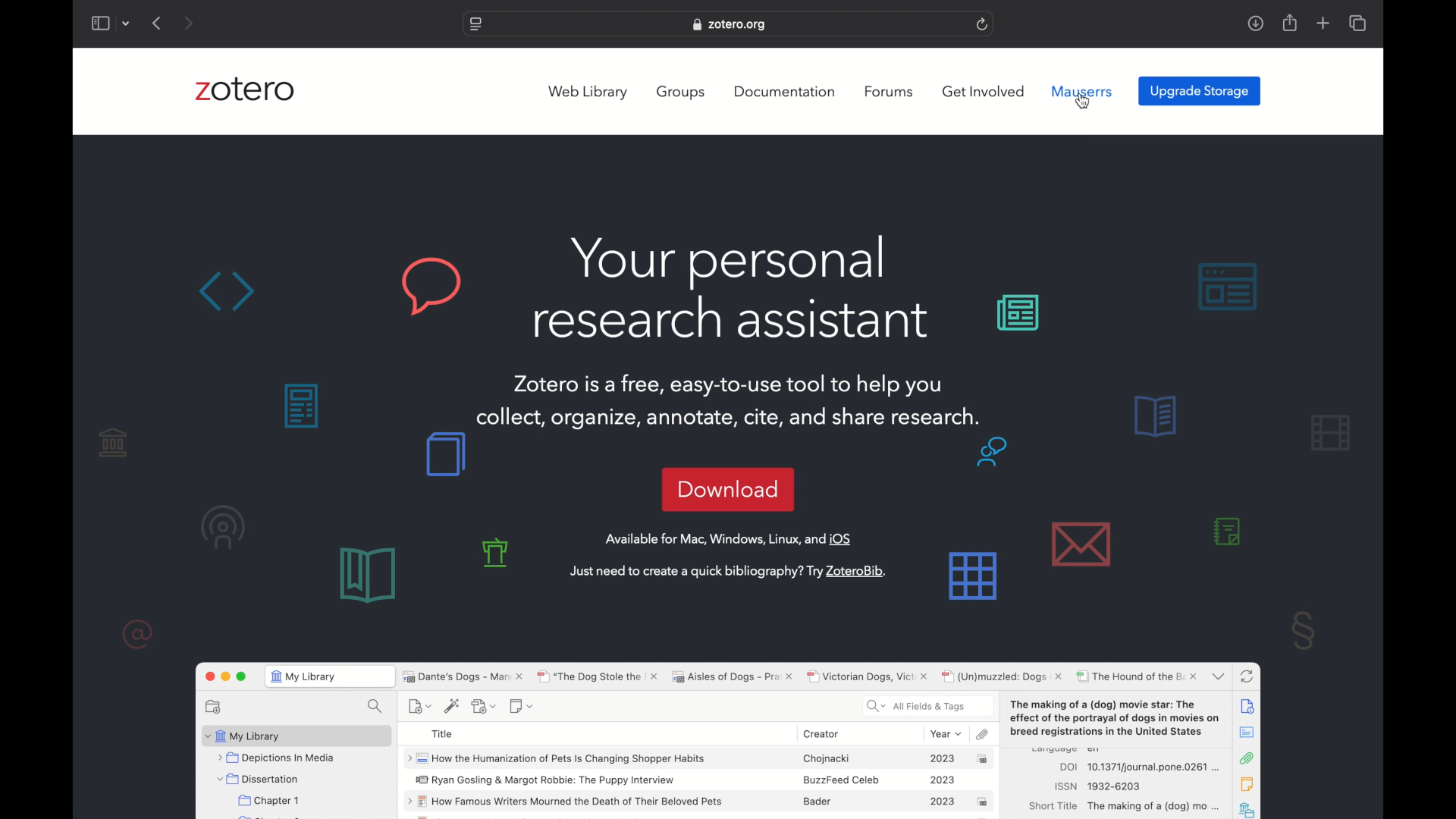  Describe the element at coordinates (730, 287) in the screenshot. I see `You personal research assistant` at that location.